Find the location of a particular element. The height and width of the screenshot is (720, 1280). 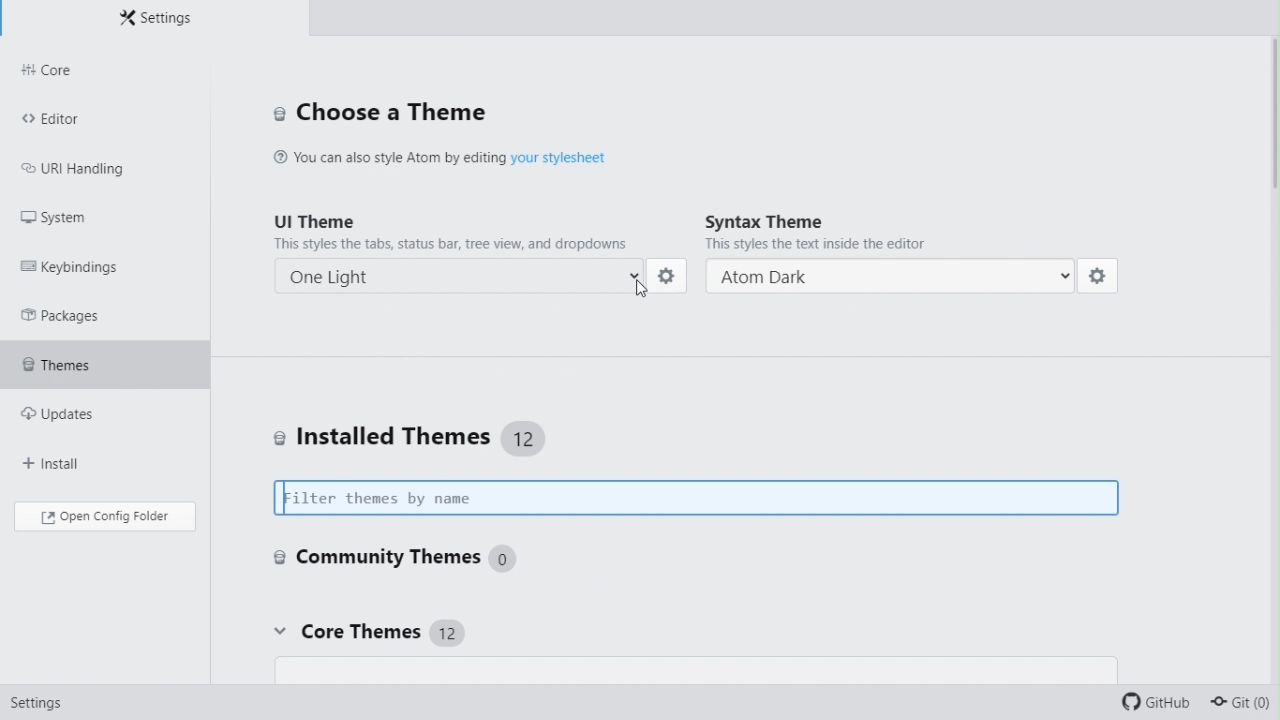

one light is located at coordinates (453, 279).